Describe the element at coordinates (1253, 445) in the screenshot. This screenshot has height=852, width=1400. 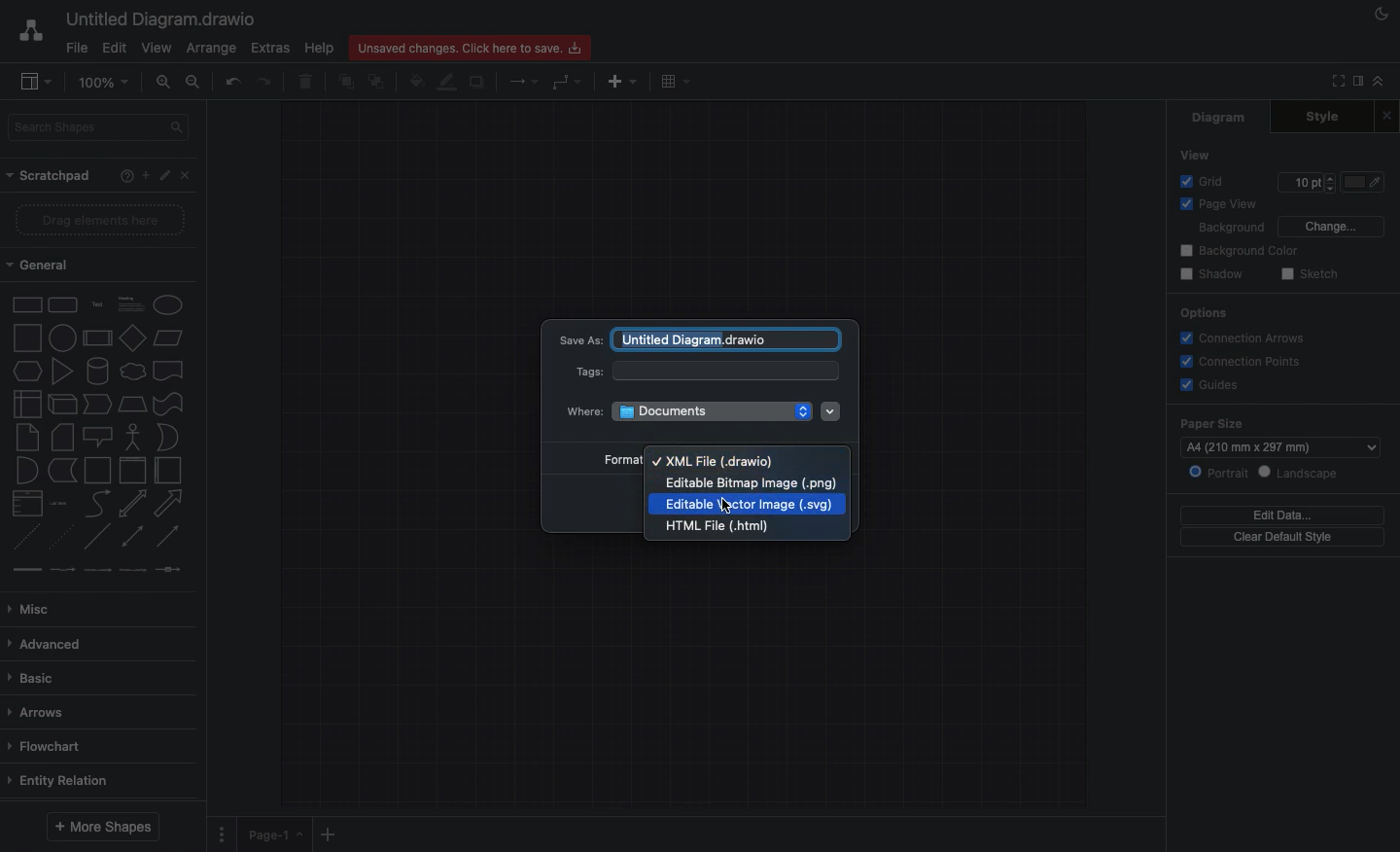
I see `a4 (210mm*297mm)` at that location.